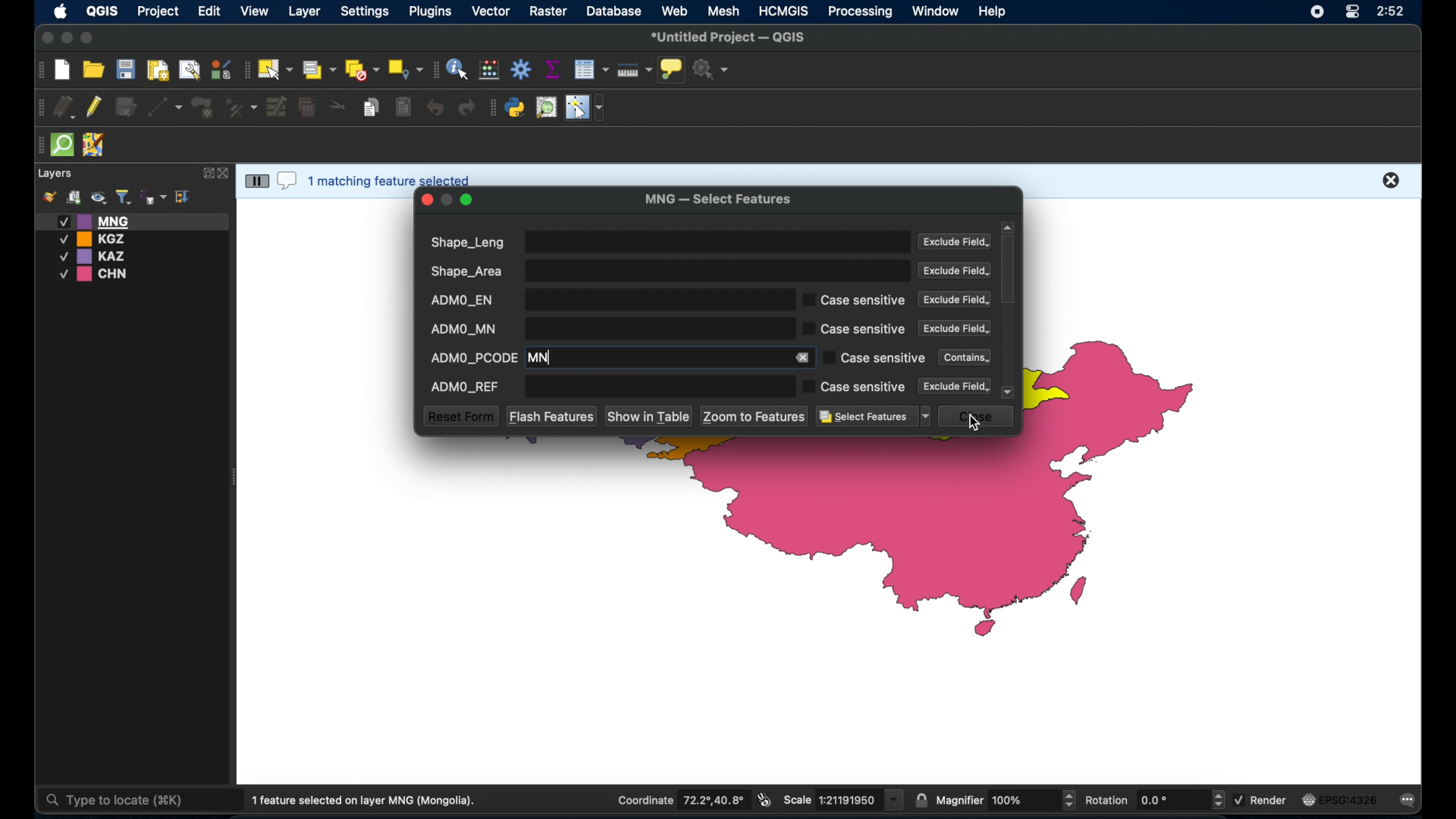 This screenshot has height=819, width=1456. Describe the element at coordinates (123, 197) in the screenshot. I see `filter legend` at that location.